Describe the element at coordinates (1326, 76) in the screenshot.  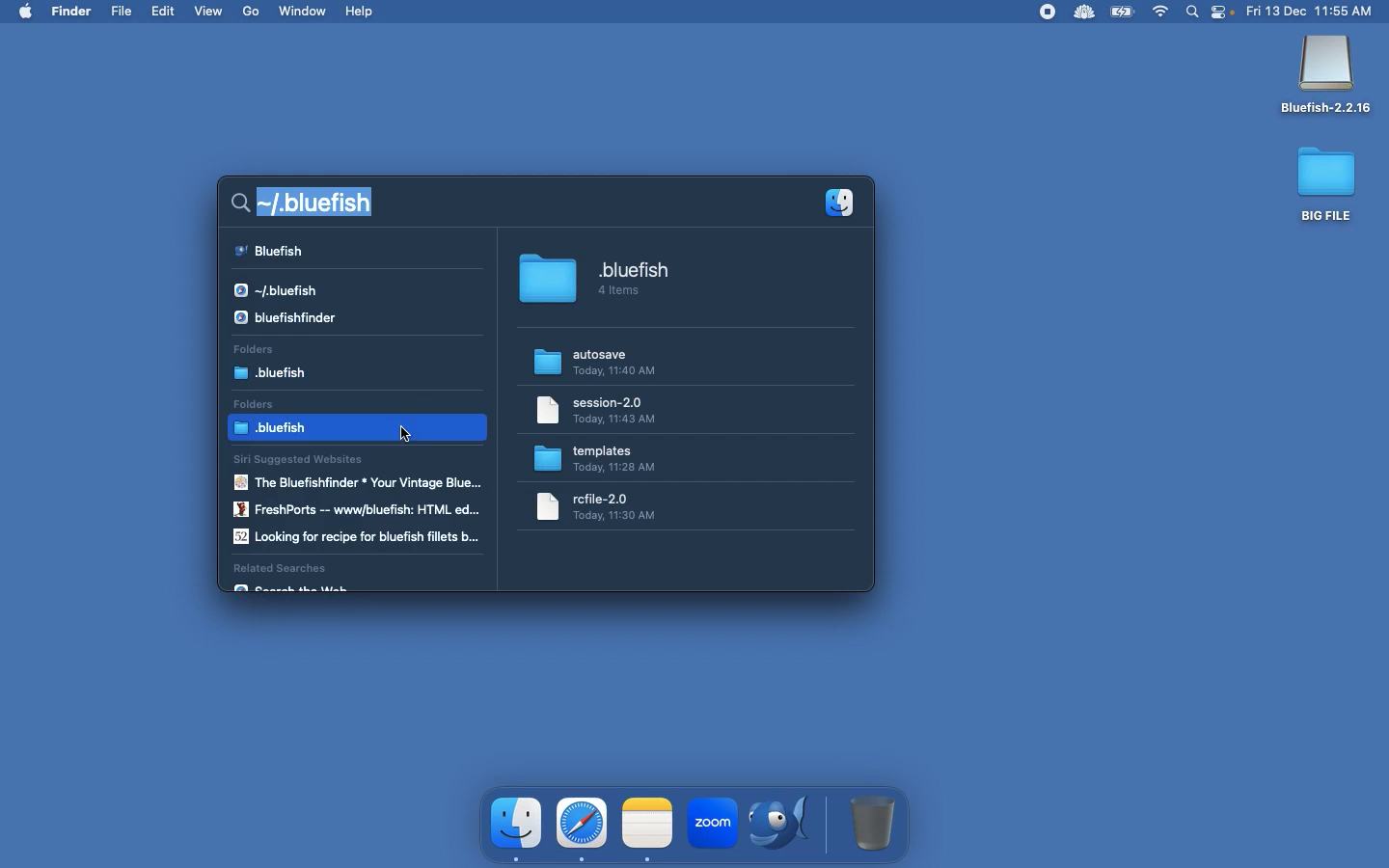
I see `Bluefish` at that location.